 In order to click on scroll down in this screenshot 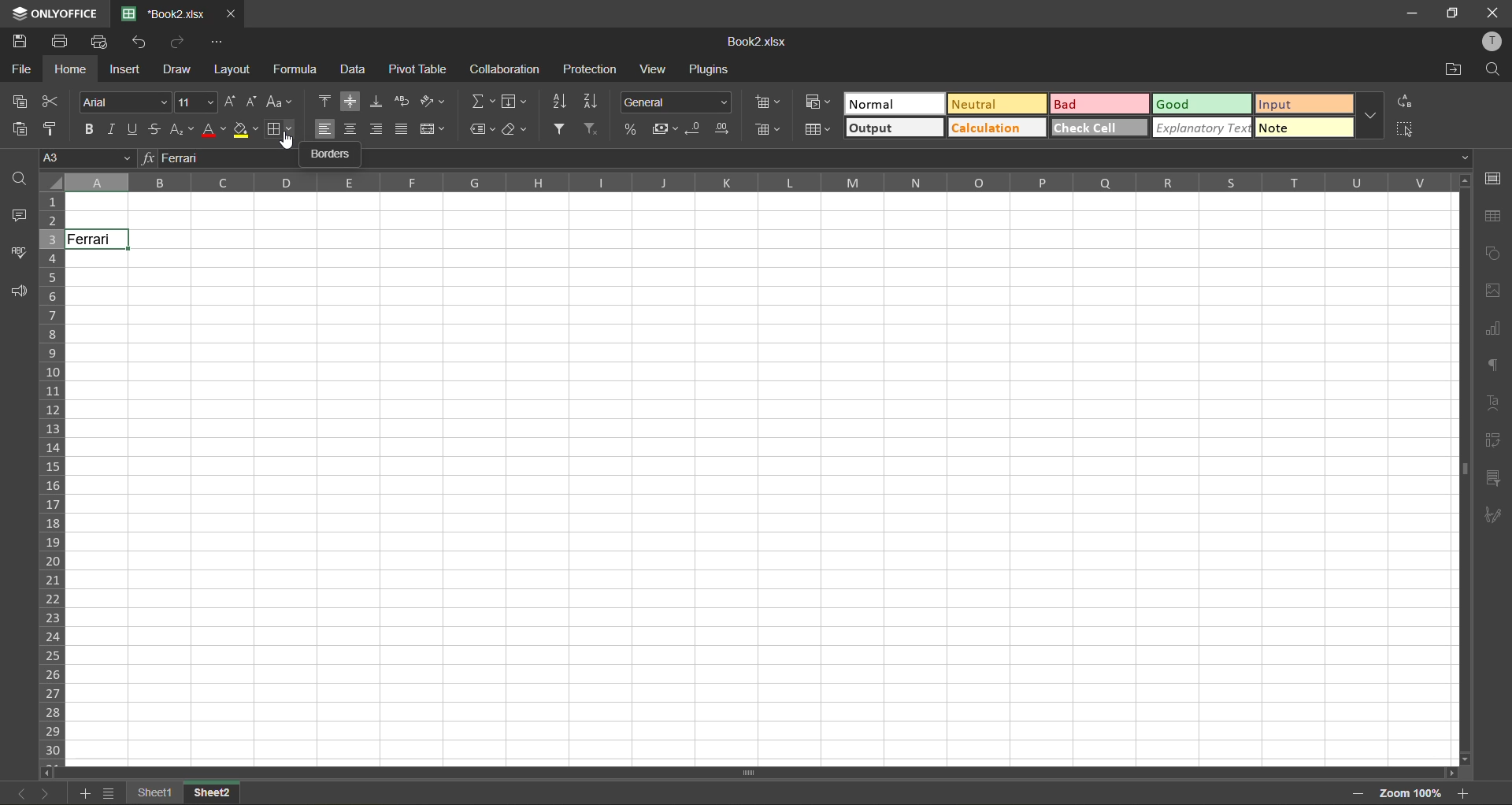, I will do `click(1466, 759)`.